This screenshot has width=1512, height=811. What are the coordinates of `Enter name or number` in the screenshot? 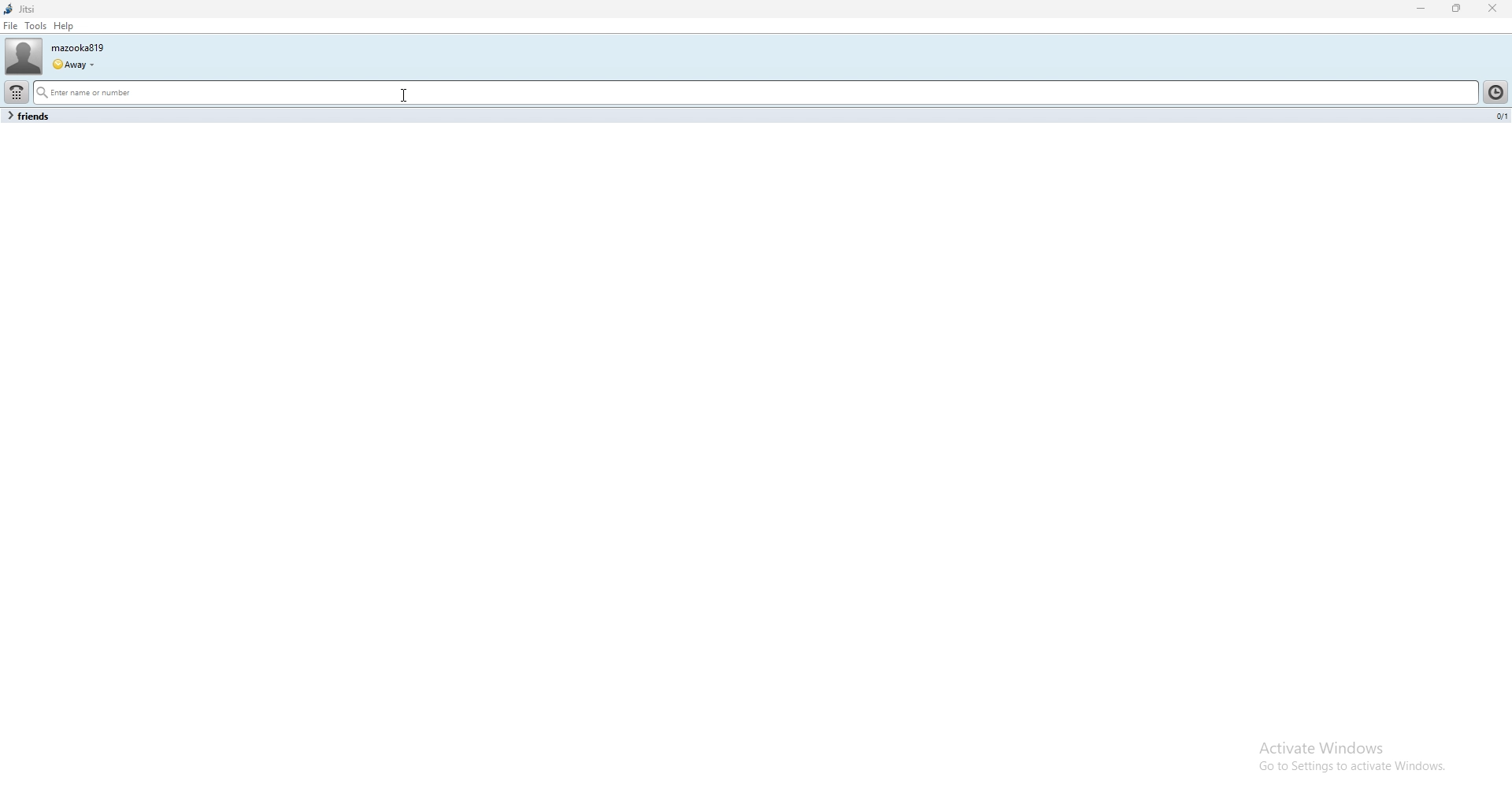 It's located at (500, 91).